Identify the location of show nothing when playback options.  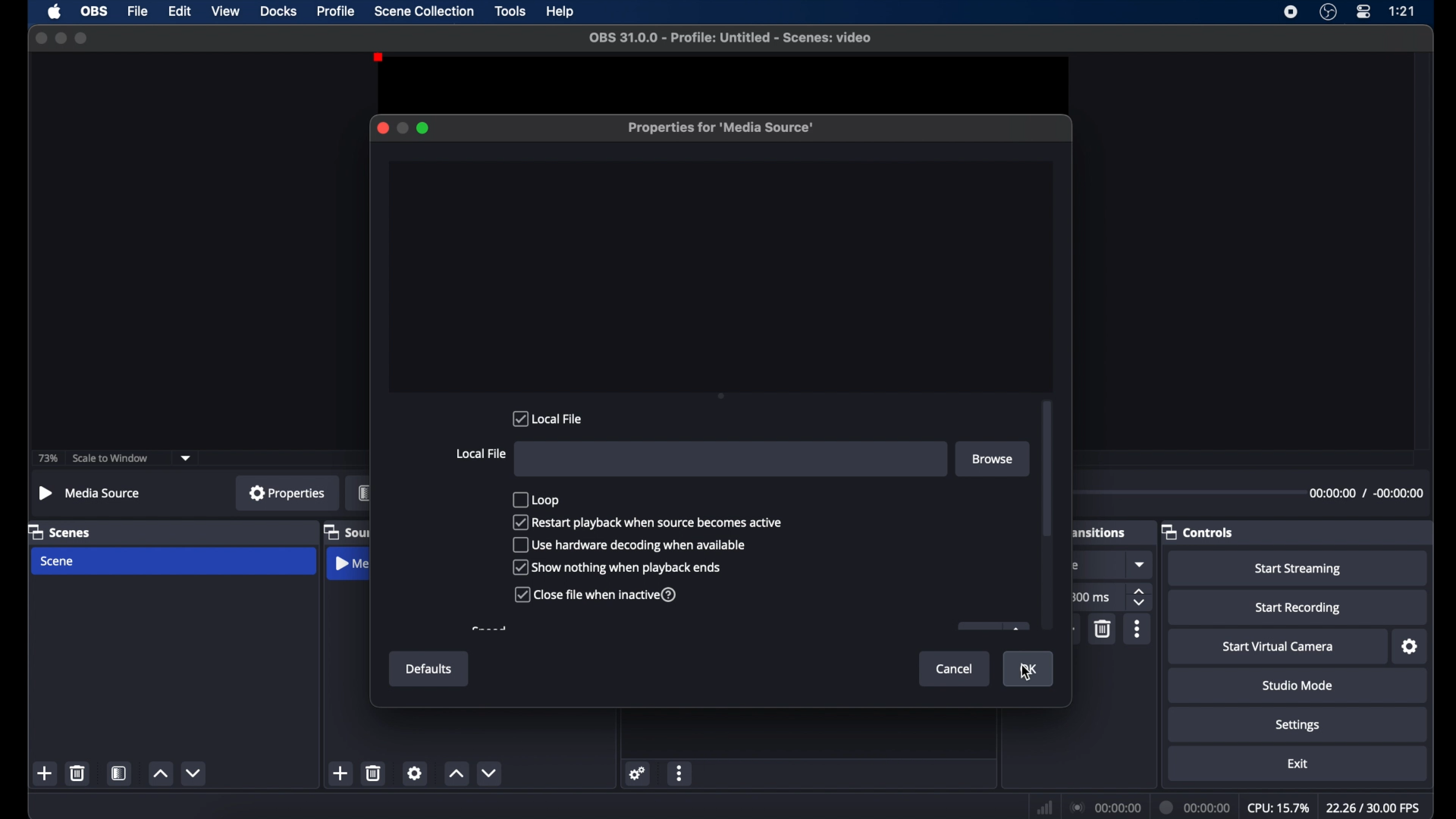
(618, 567).